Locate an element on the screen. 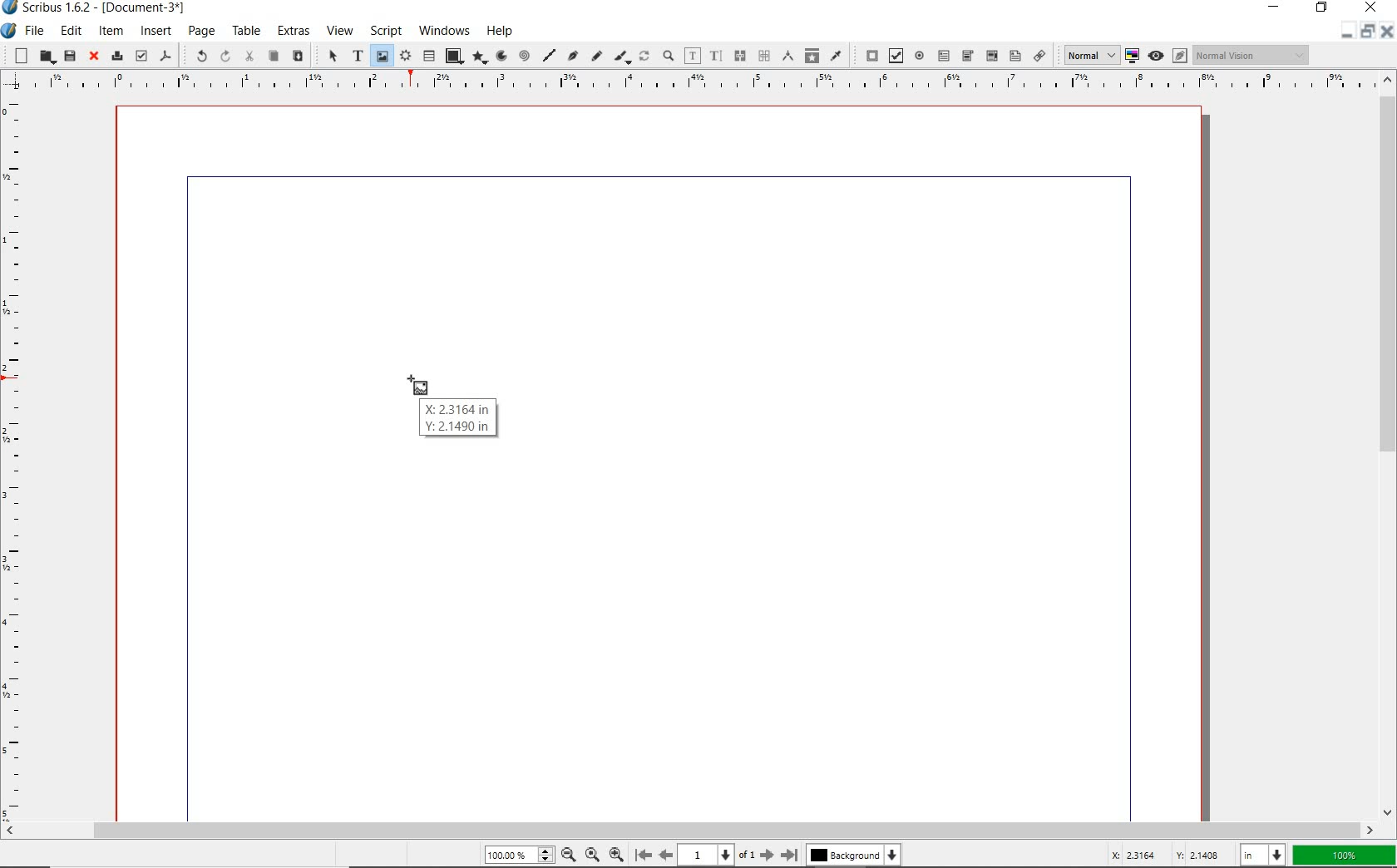  HELP is located at coordinates (501, 31).